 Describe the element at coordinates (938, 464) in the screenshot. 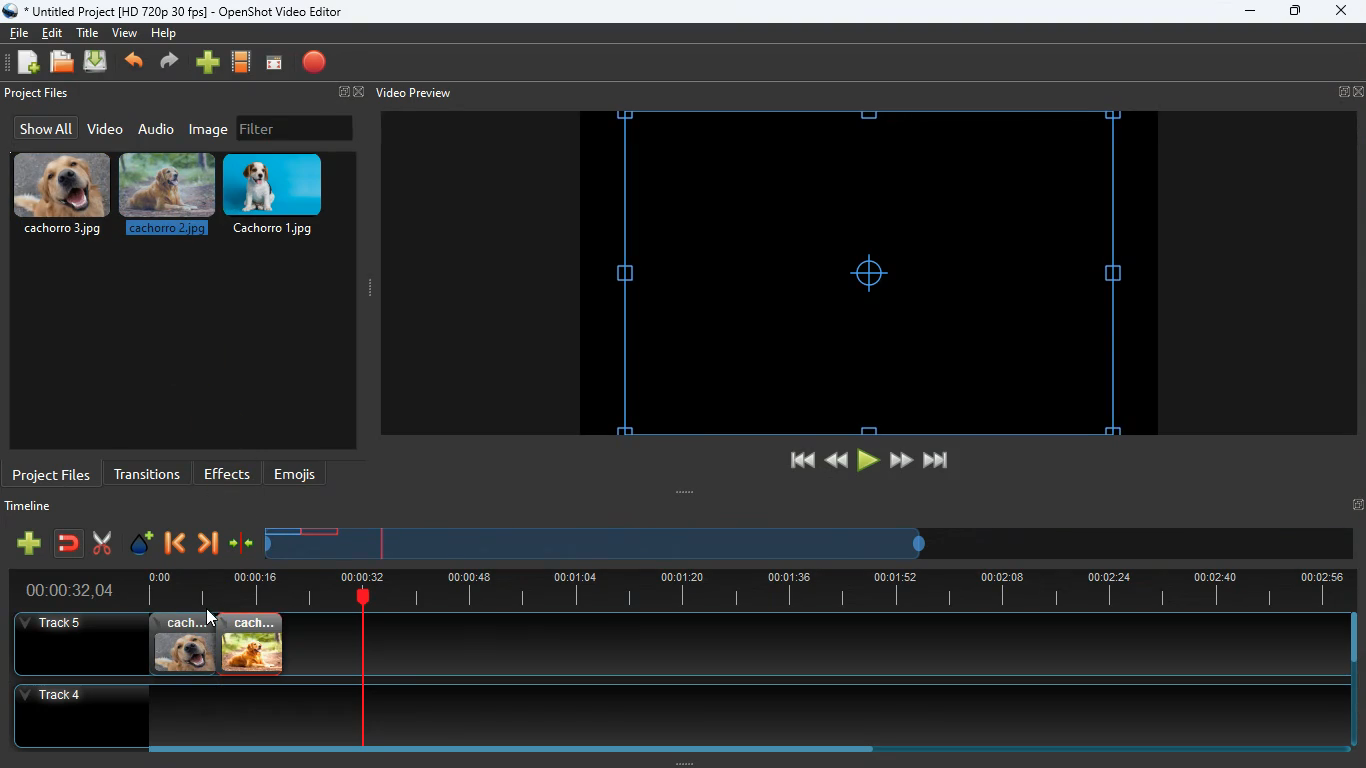

I see `end` at that location.